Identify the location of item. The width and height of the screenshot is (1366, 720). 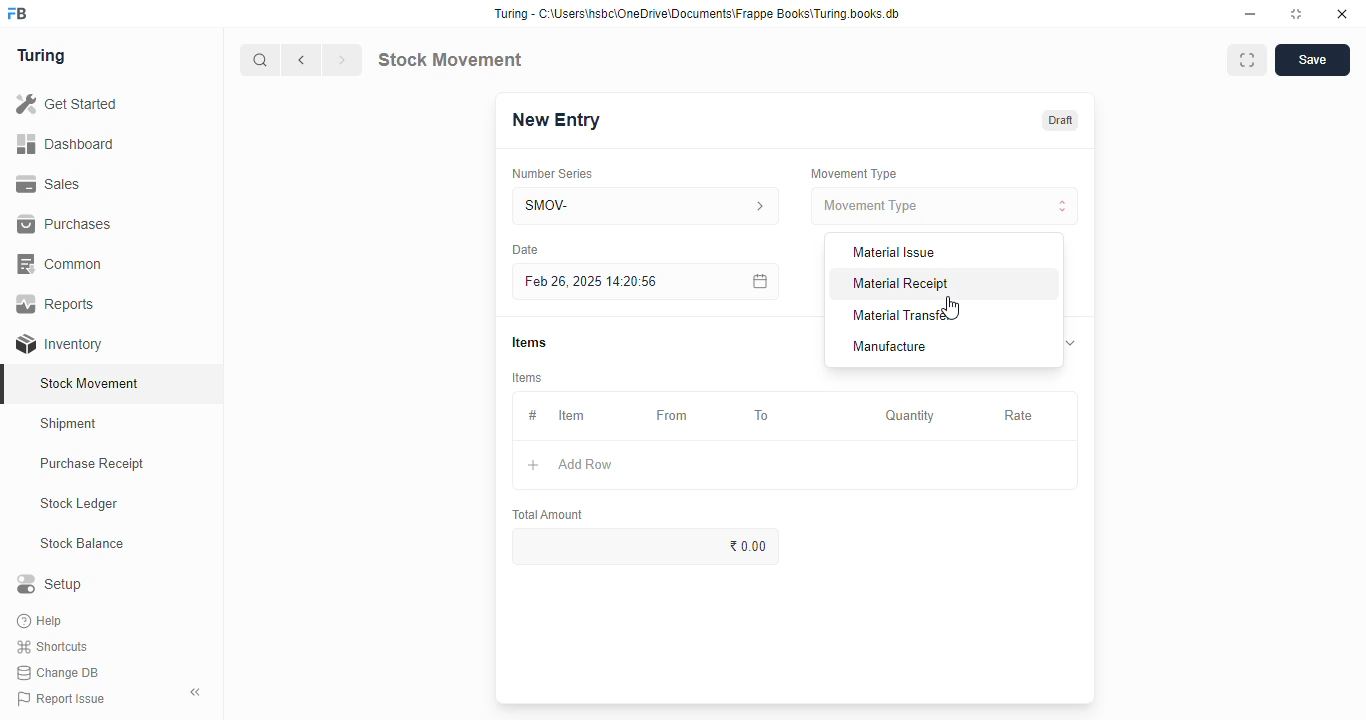
(571, 415).